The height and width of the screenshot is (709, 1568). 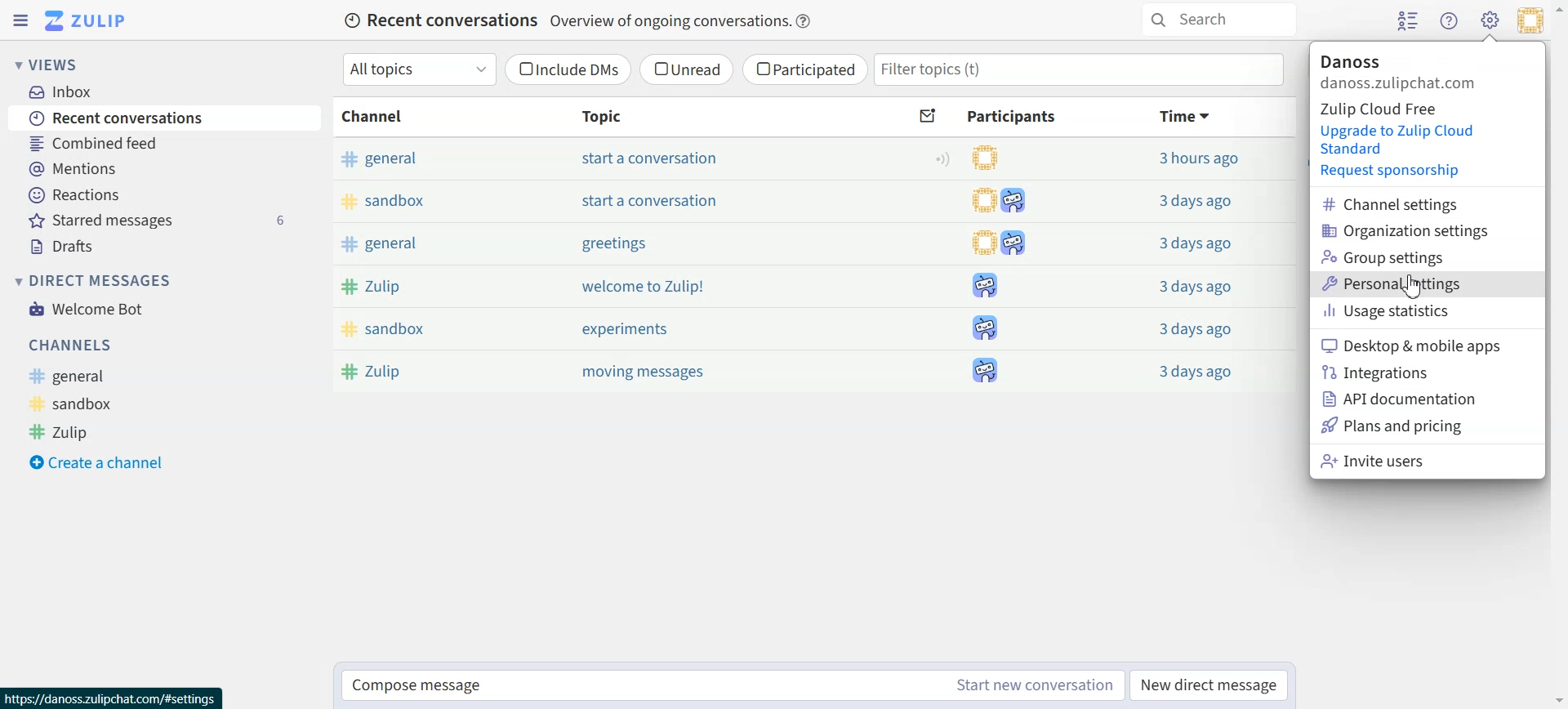 I want to click on start a conversation, so click(x=654, y=158).